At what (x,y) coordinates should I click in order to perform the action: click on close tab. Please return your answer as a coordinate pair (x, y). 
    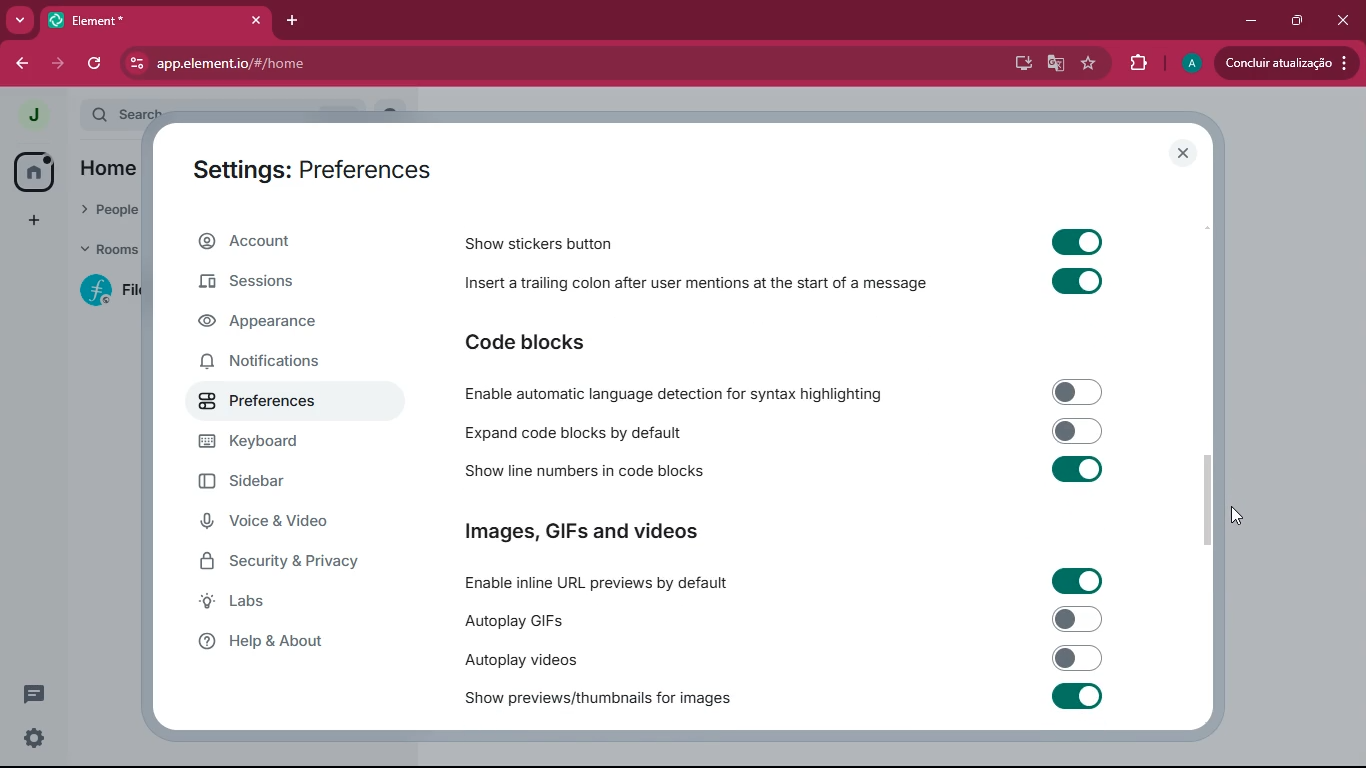
    Looking at the image, I should click on (260, 19).